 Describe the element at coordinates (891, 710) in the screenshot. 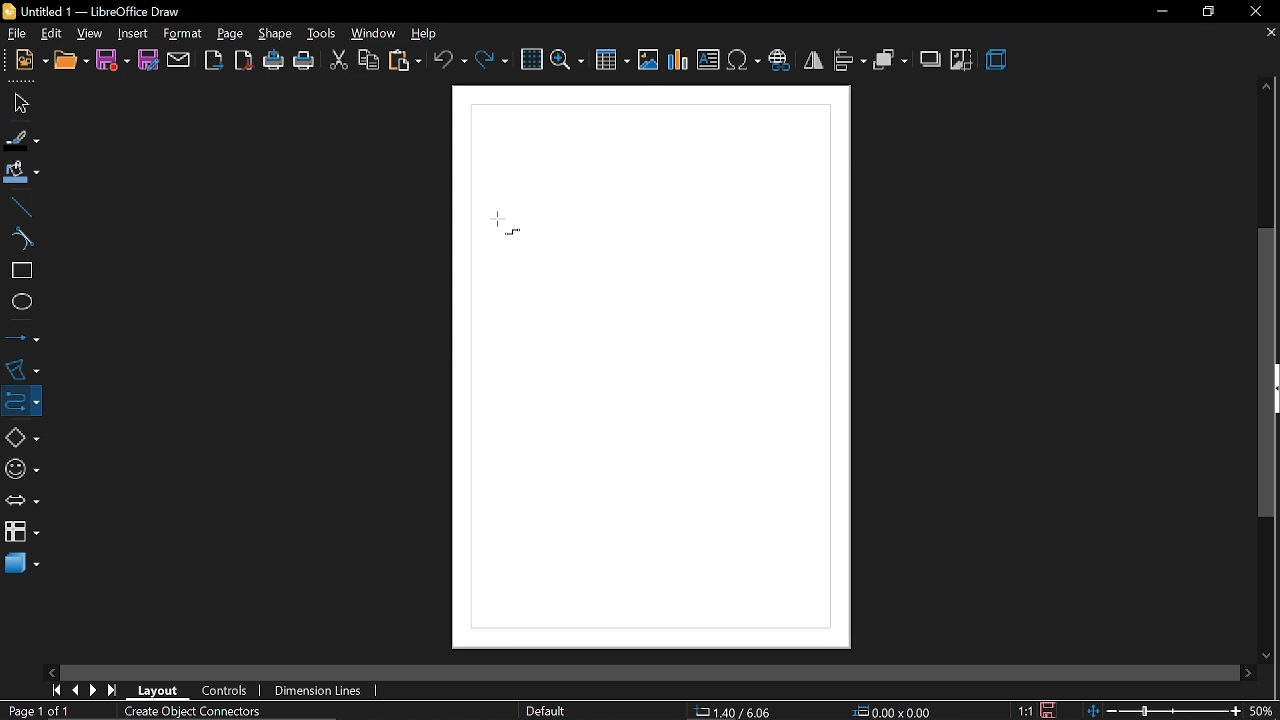

I see `0.00x0.00` at that location.